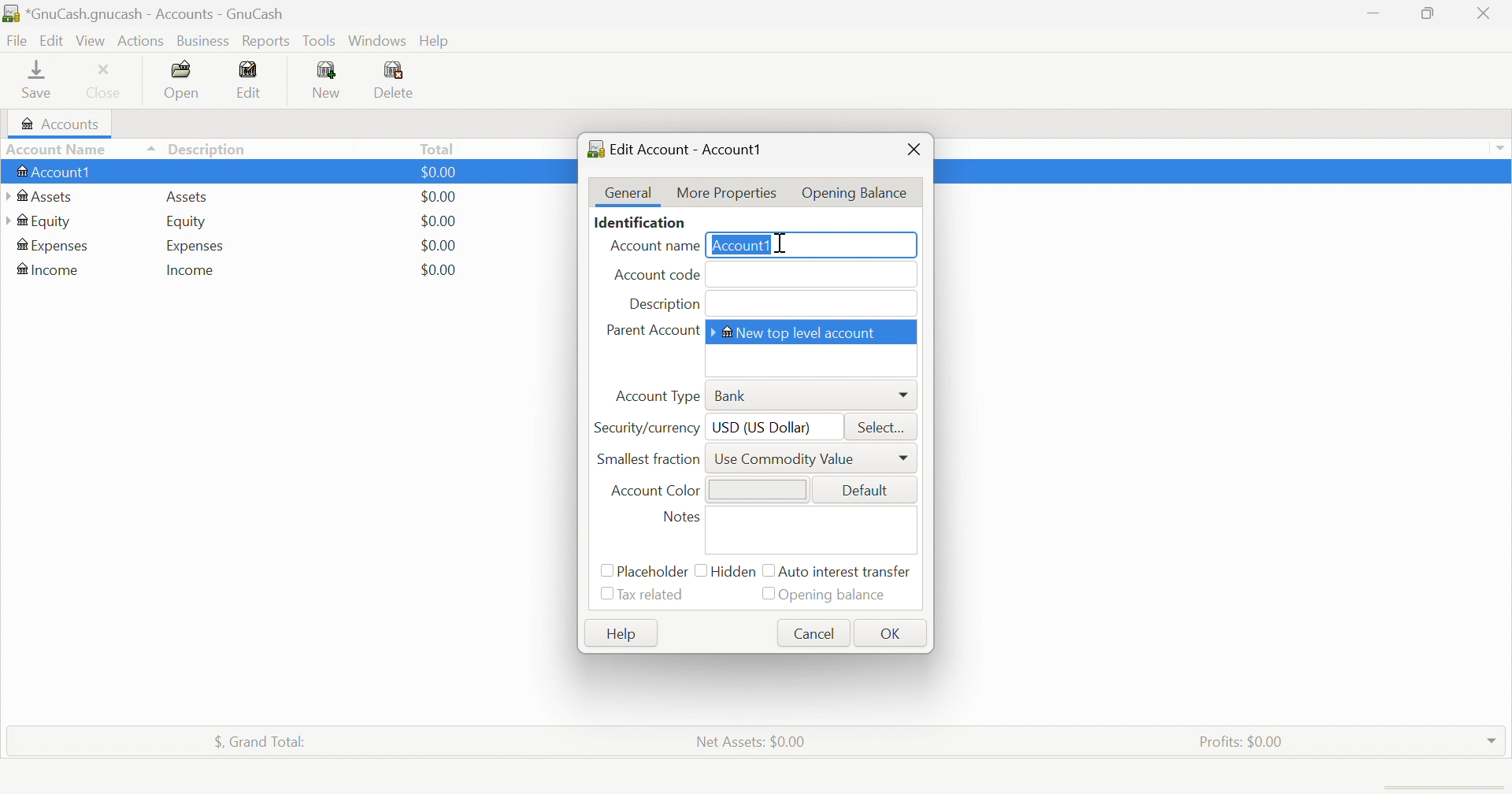 This screenshot has width=1512, height=794. Describe the element at coordinates (1242, 741) in the screenshot. I see `Profits: $0.00` at that location.